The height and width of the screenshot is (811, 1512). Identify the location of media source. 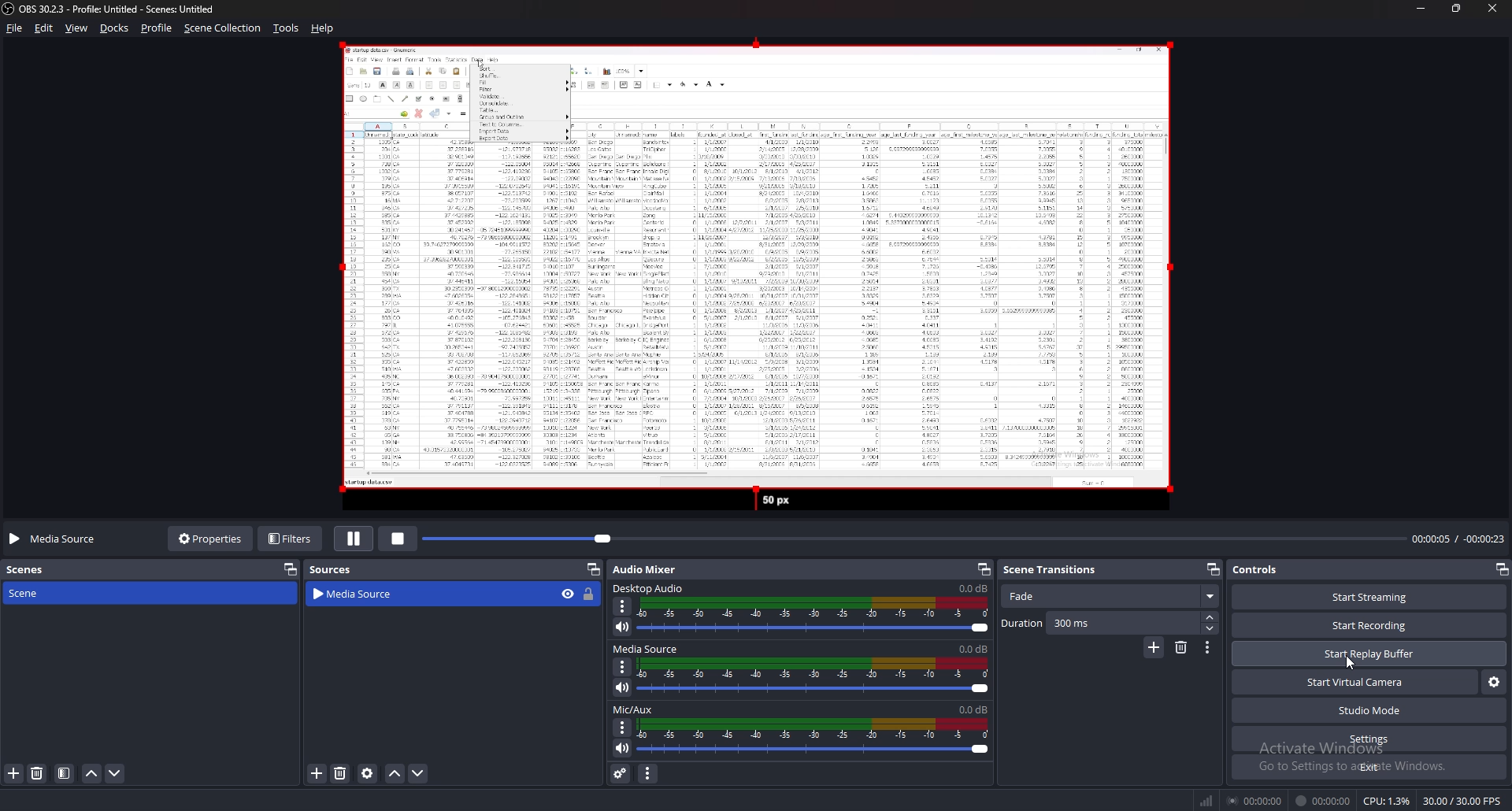
(648, 649).